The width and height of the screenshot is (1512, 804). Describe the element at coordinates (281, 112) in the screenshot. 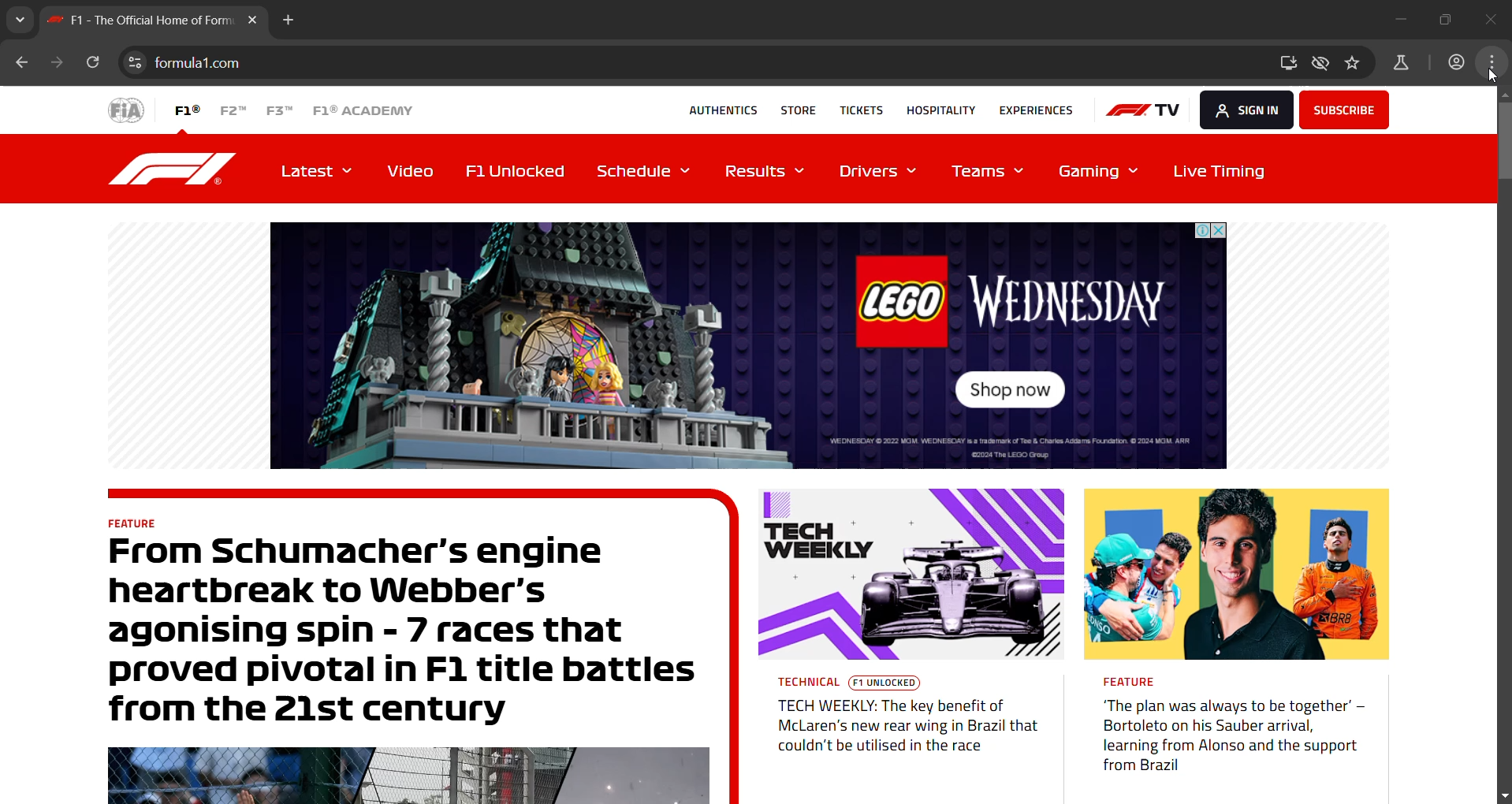

I see `F3™` at that location.